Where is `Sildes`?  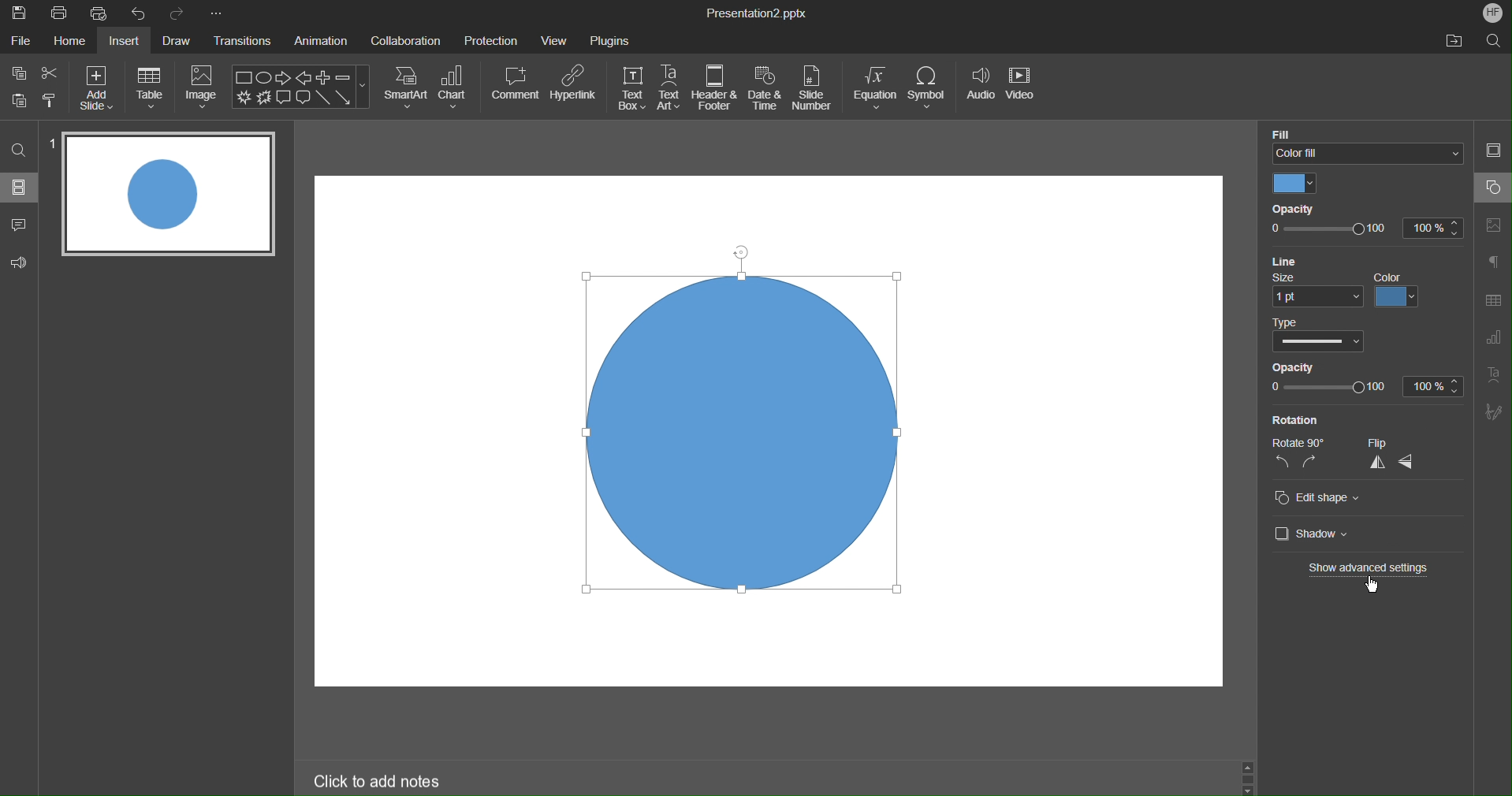
Sildes is located at coordinates (20, 187).